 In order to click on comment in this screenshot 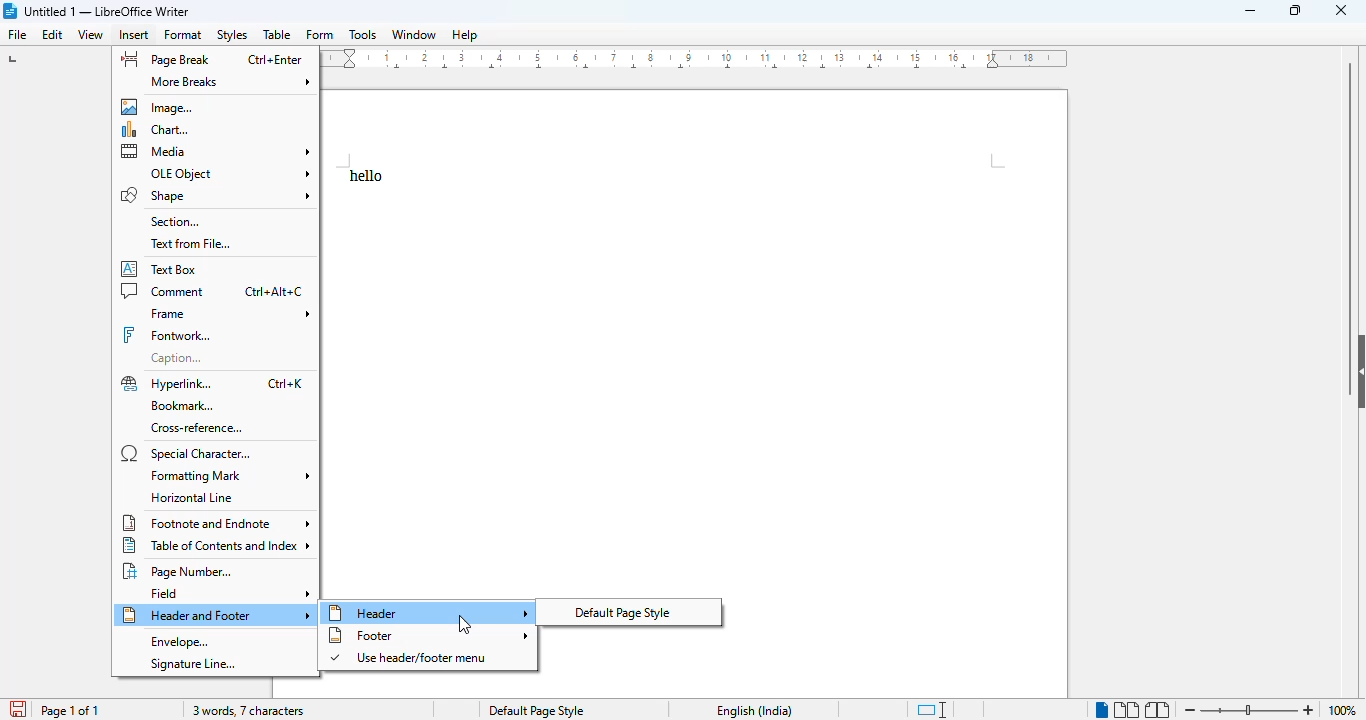, I will do `click(164, 291)`.